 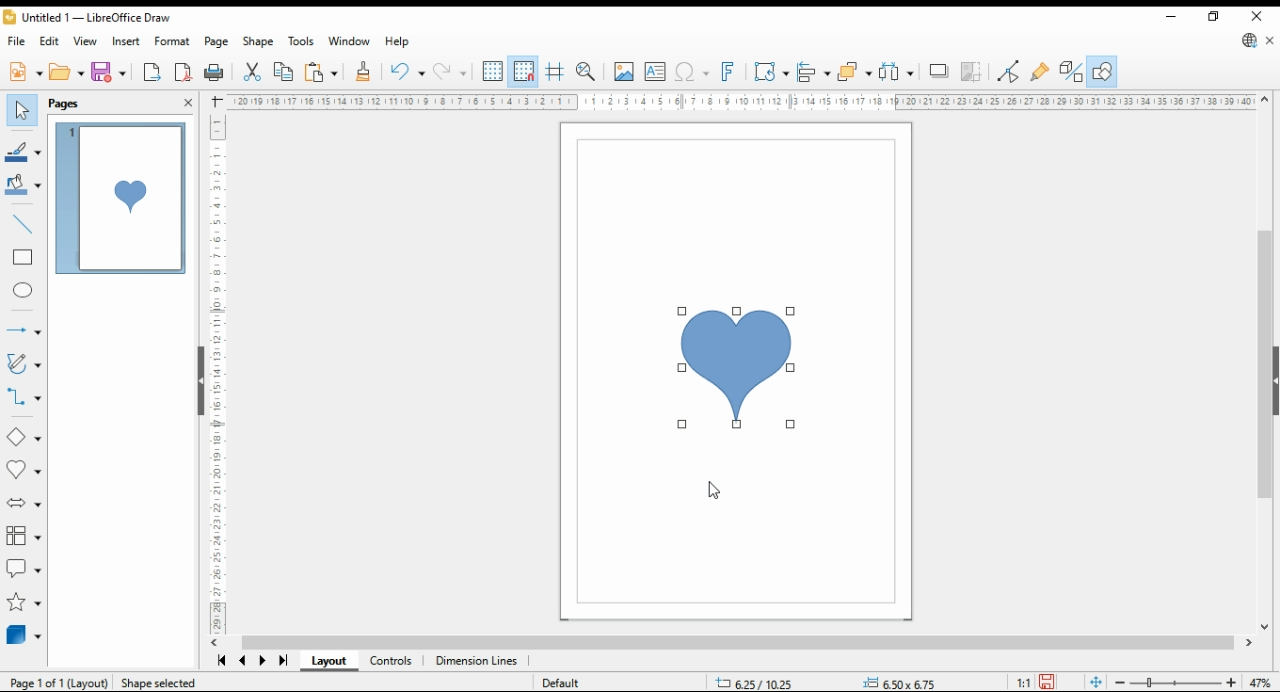 What do you see at coordinates (189, 103) in the screenshot?
I see `close pane` at bounding box center [189, 103].